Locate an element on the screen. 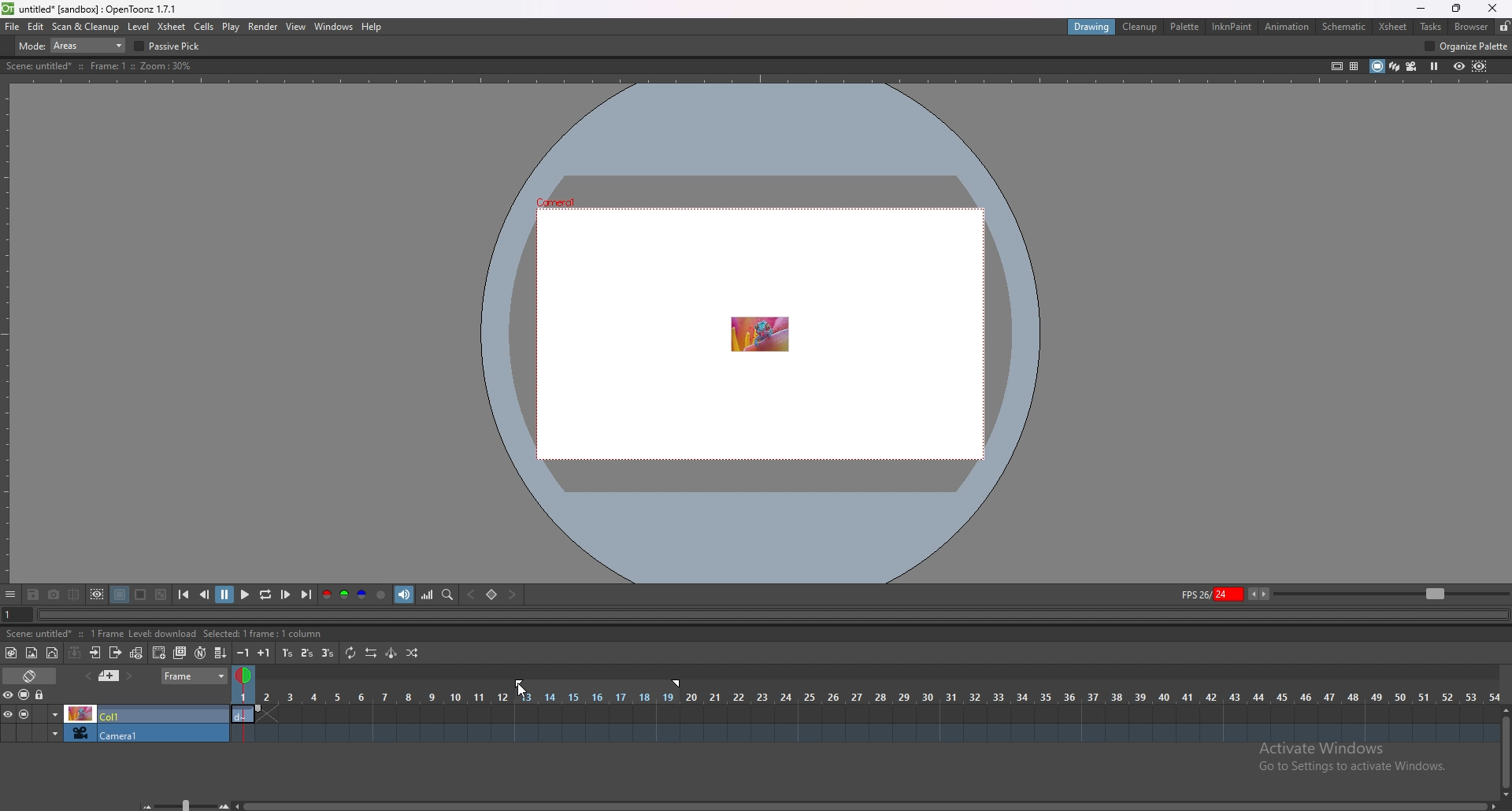  soundtrack is located at coordinates (404, 594).